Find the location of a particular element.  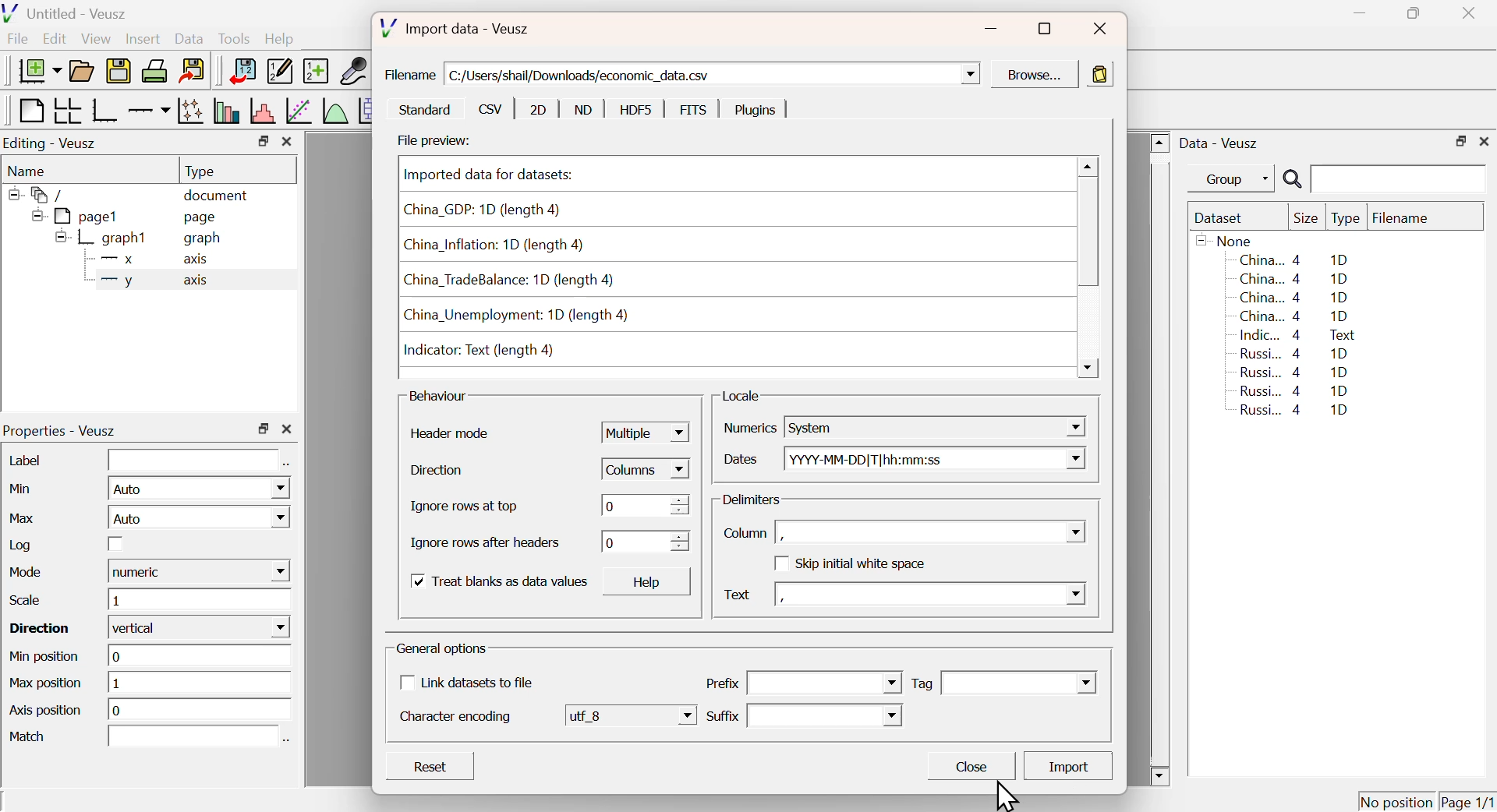

Plot Box Plots is located at coordinates (362, 110).